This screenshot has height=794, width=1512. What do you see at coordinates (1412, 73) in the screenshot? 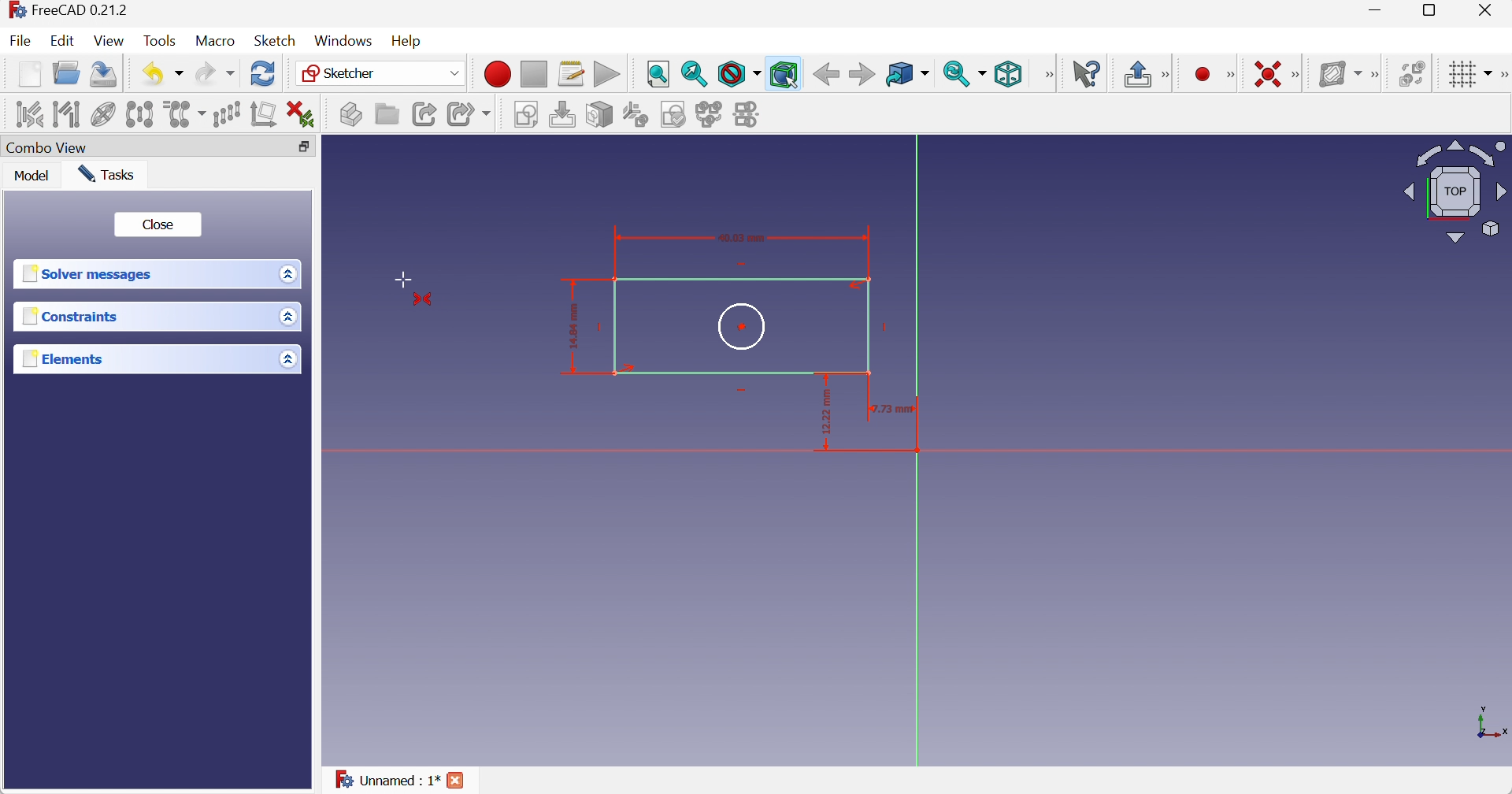
I see `Switch virtual space` at bounding box center [1412, 73].